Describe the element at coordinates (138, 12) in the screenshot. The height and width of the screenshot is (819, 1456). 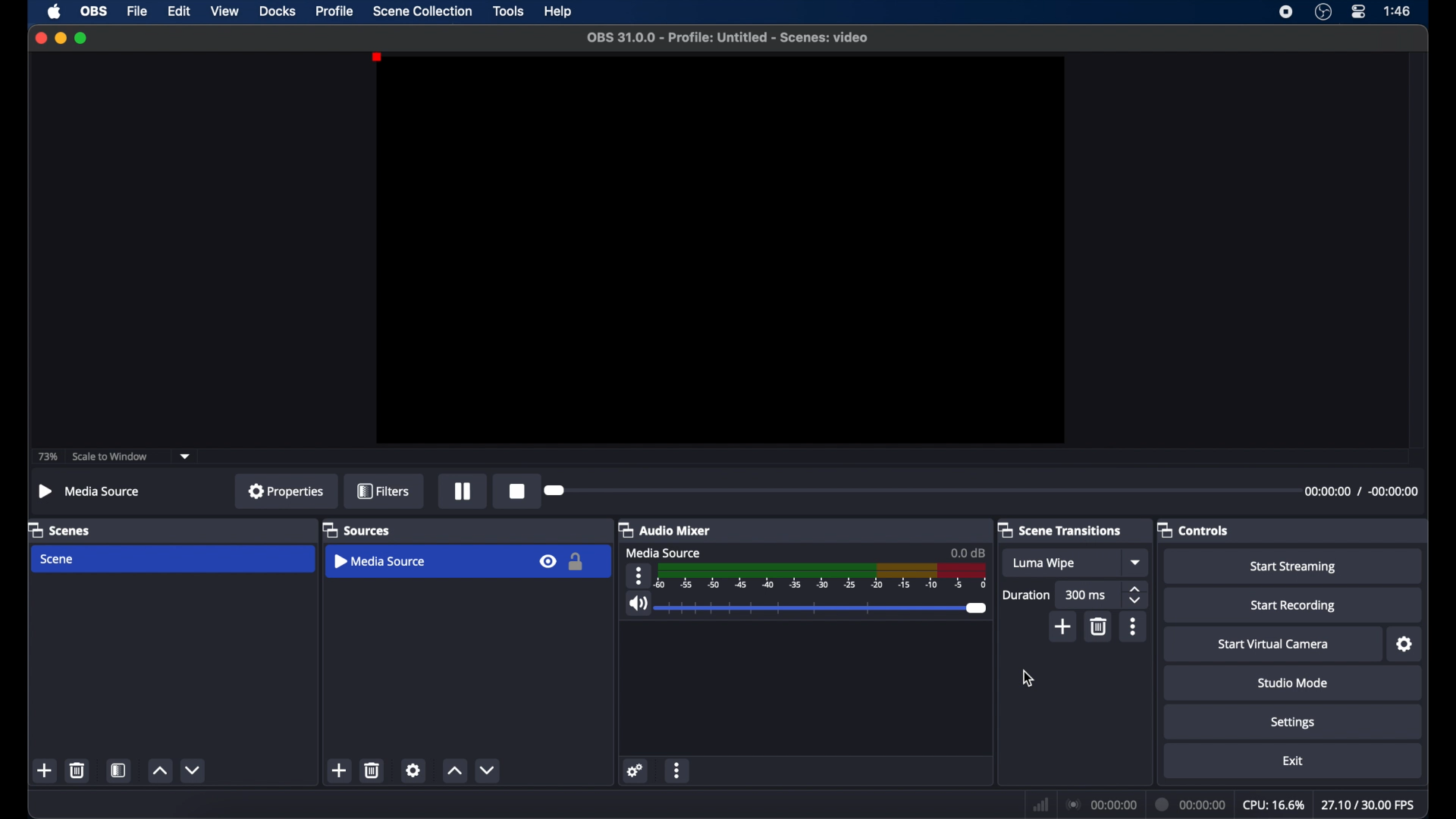
I see `file` at that location.